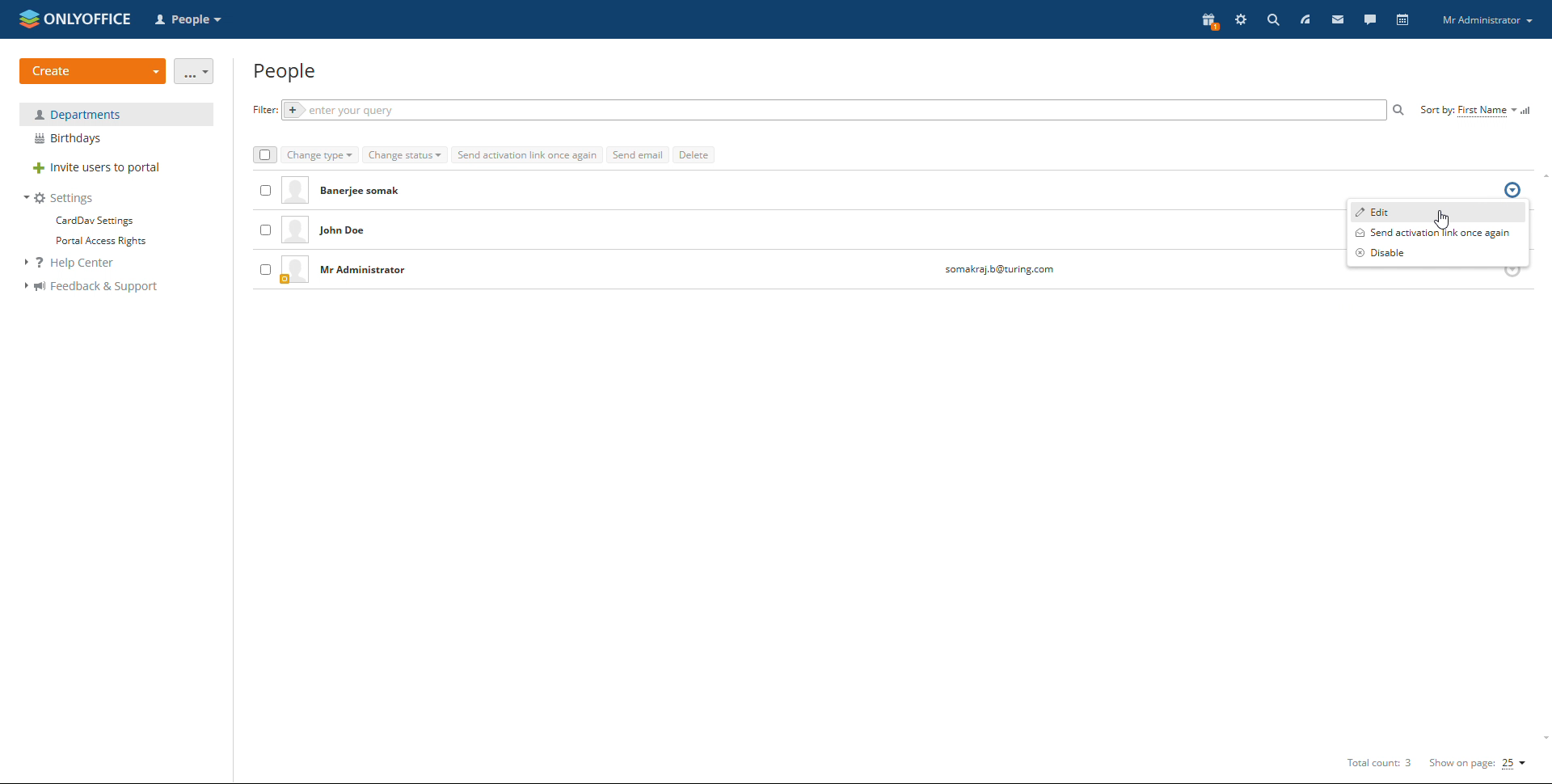 This screenshot has height=784, width=1552. What do you see at coordinates (60, 198) in the screenshot?
I see `settings` at bounding box center [60, 198].